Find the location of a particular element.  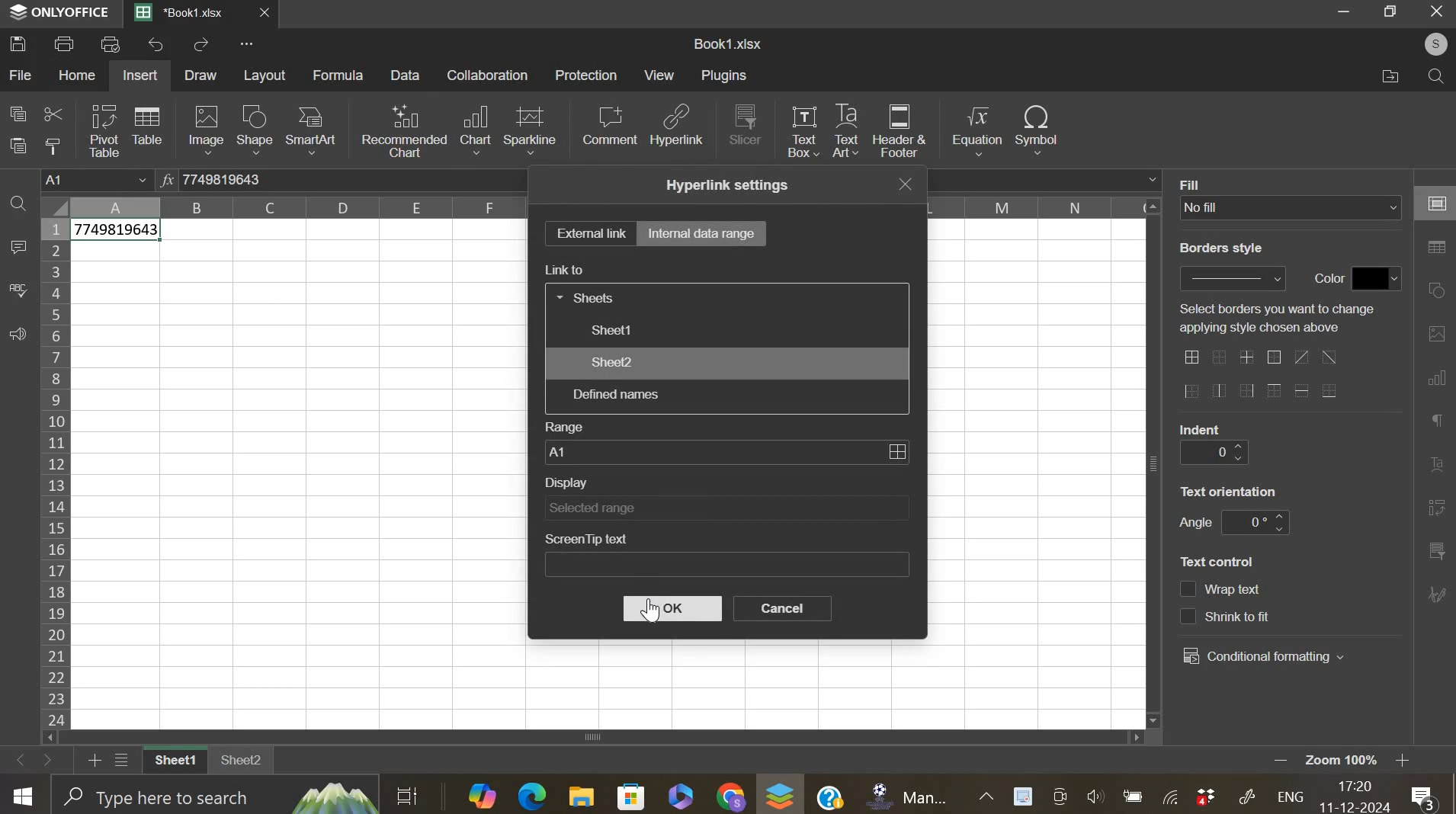

print preview is located at coordinates (111, 43).